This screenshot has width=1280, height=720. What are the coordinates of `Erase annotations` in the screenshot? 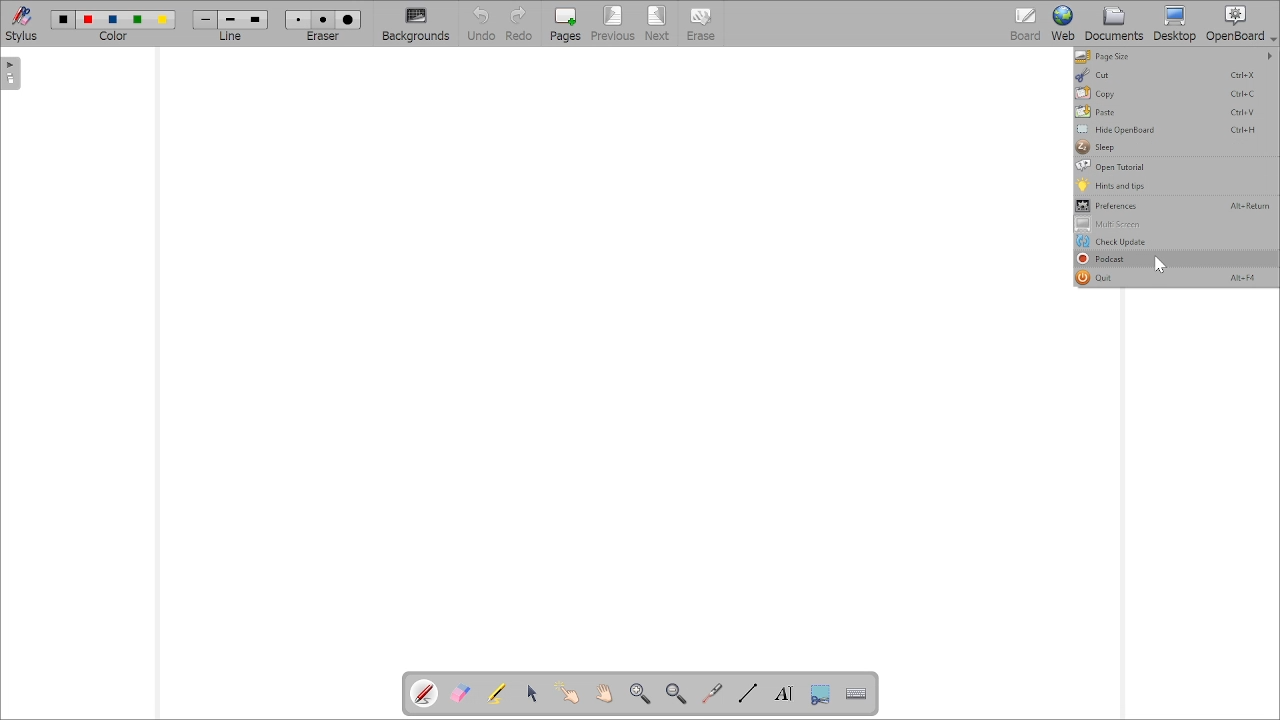 It's located at (457, 694).